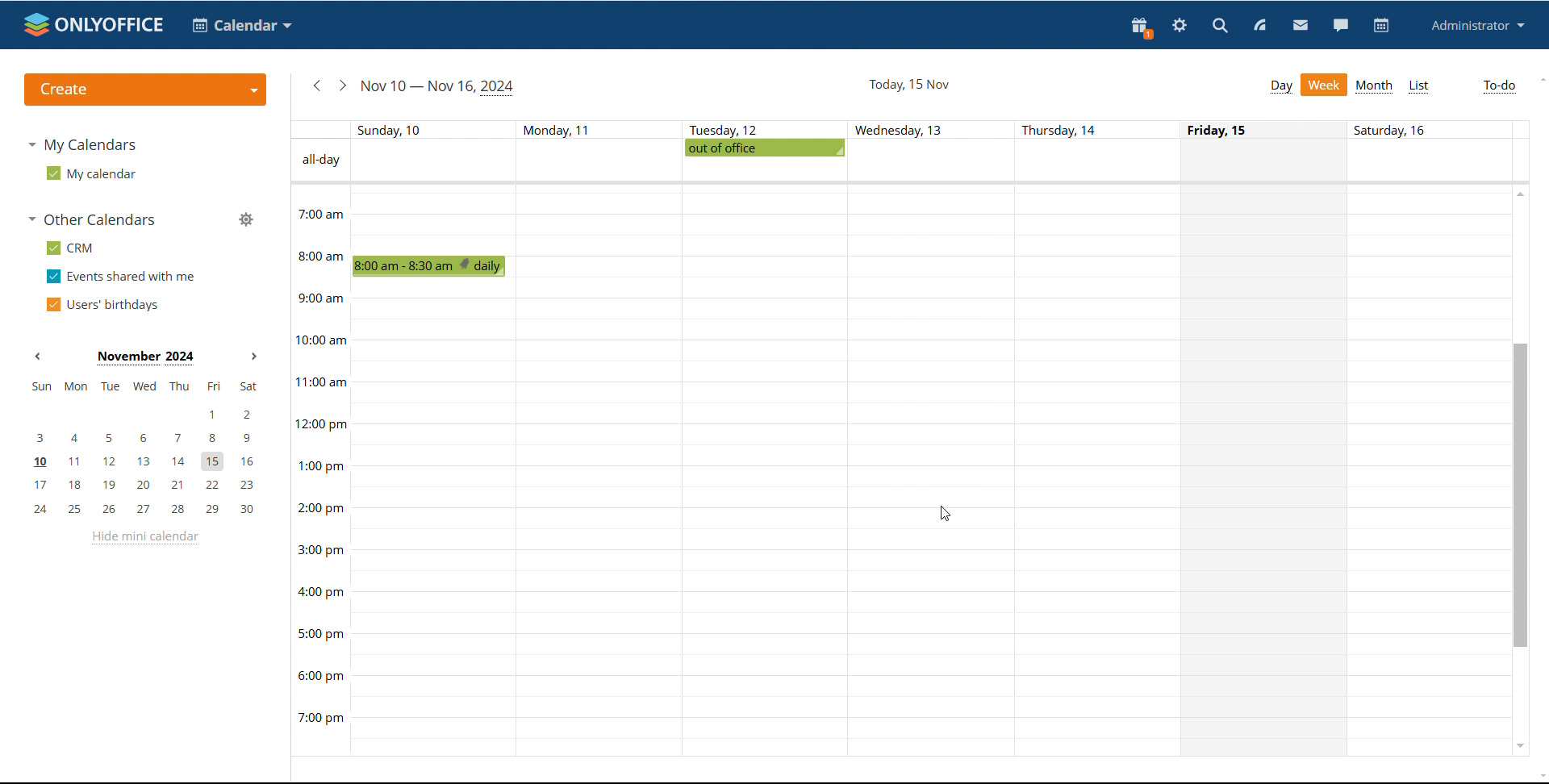  Describe the element at coordinates (244, 25) in the screenshot. I see `select application` at that location.